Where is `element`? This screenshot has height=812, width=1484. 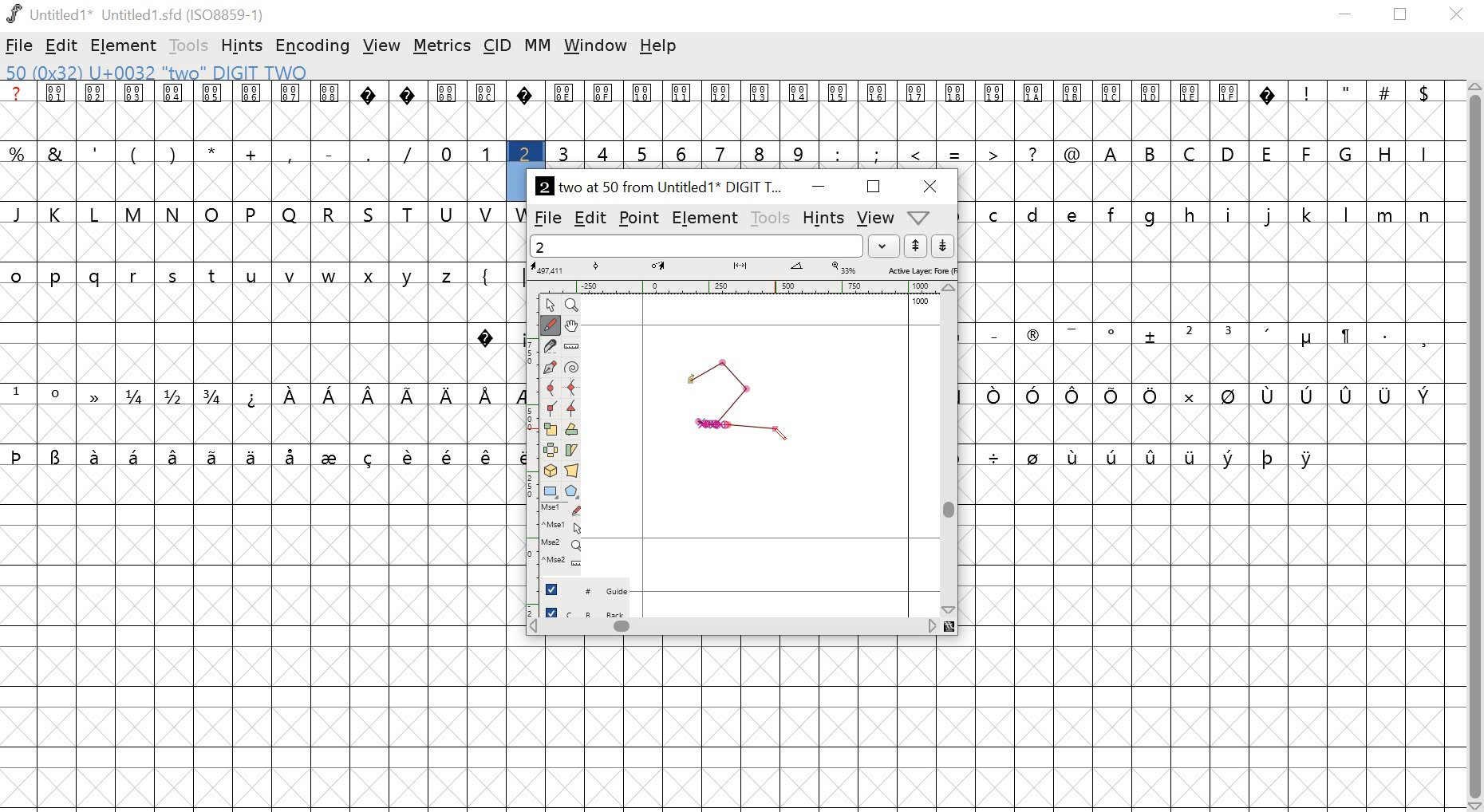 element is located at coordinates (708, 218).